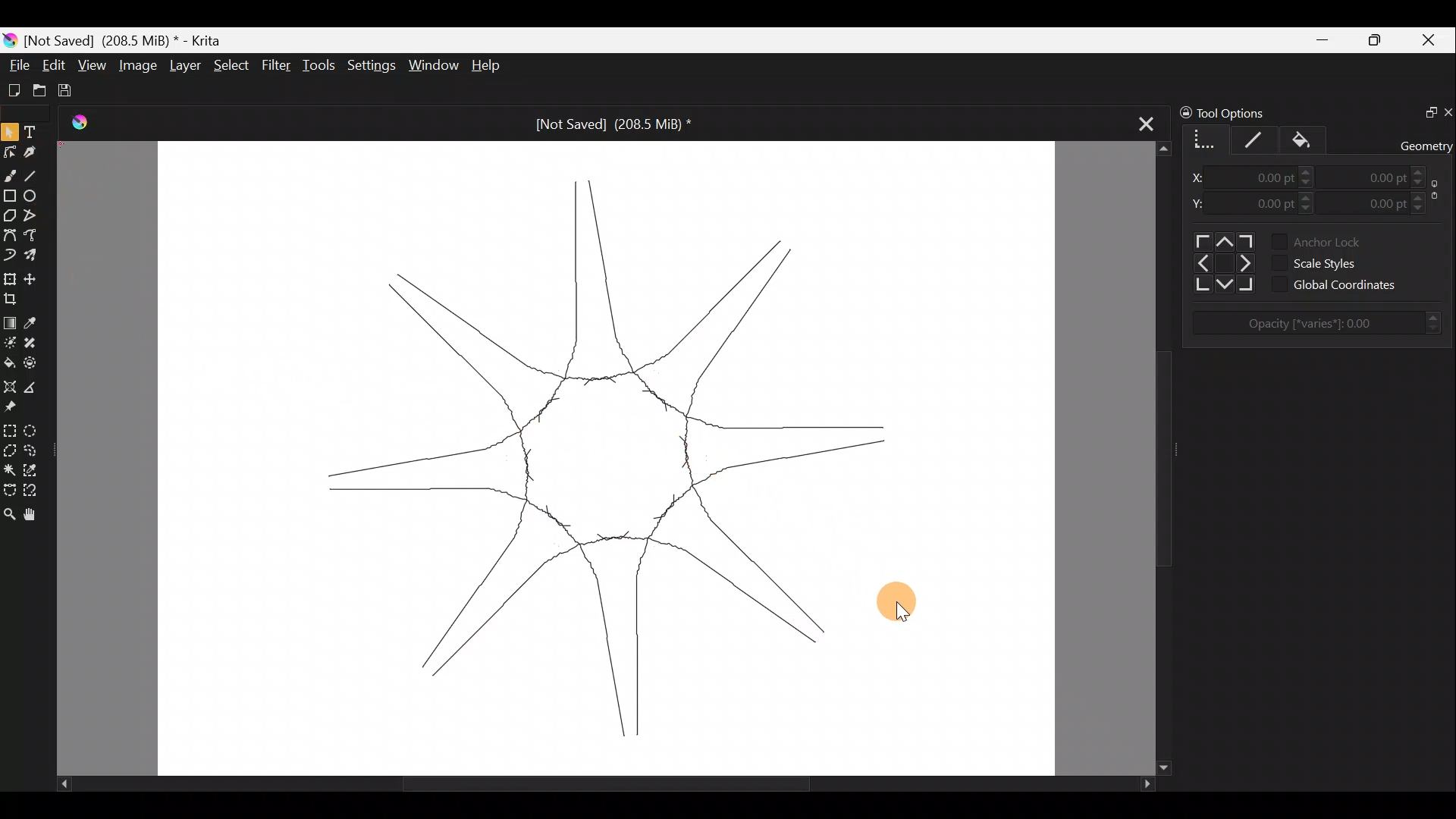 The height and width of the screenshot is (819, 1456). What do you see at coordinates (9, 215) in the screenshot?
I see `Polygon` at bounding box center [9, 215].